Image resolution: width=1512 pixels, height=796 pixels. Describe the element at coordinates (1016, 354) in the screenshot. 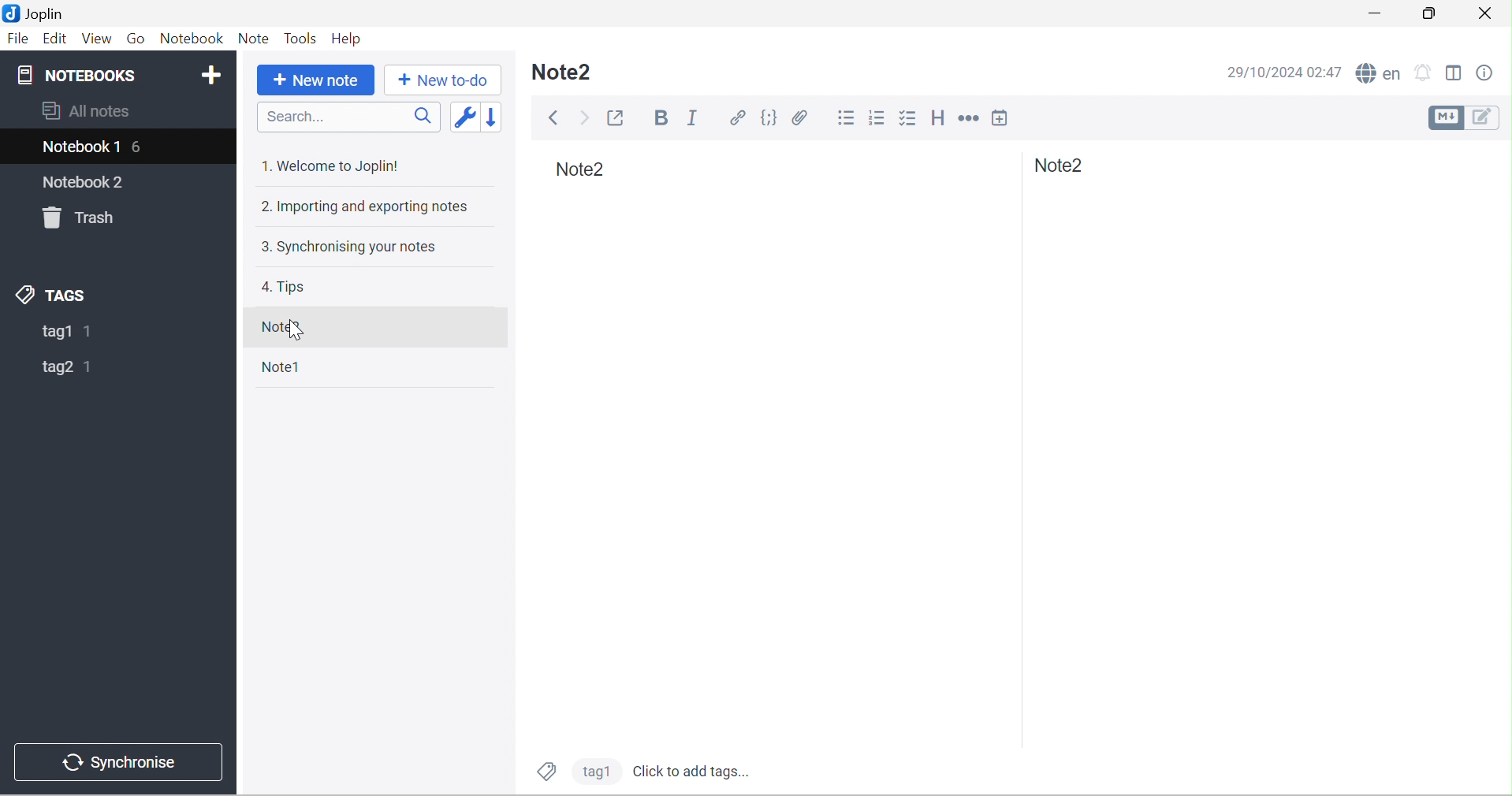

I see `` at that location.